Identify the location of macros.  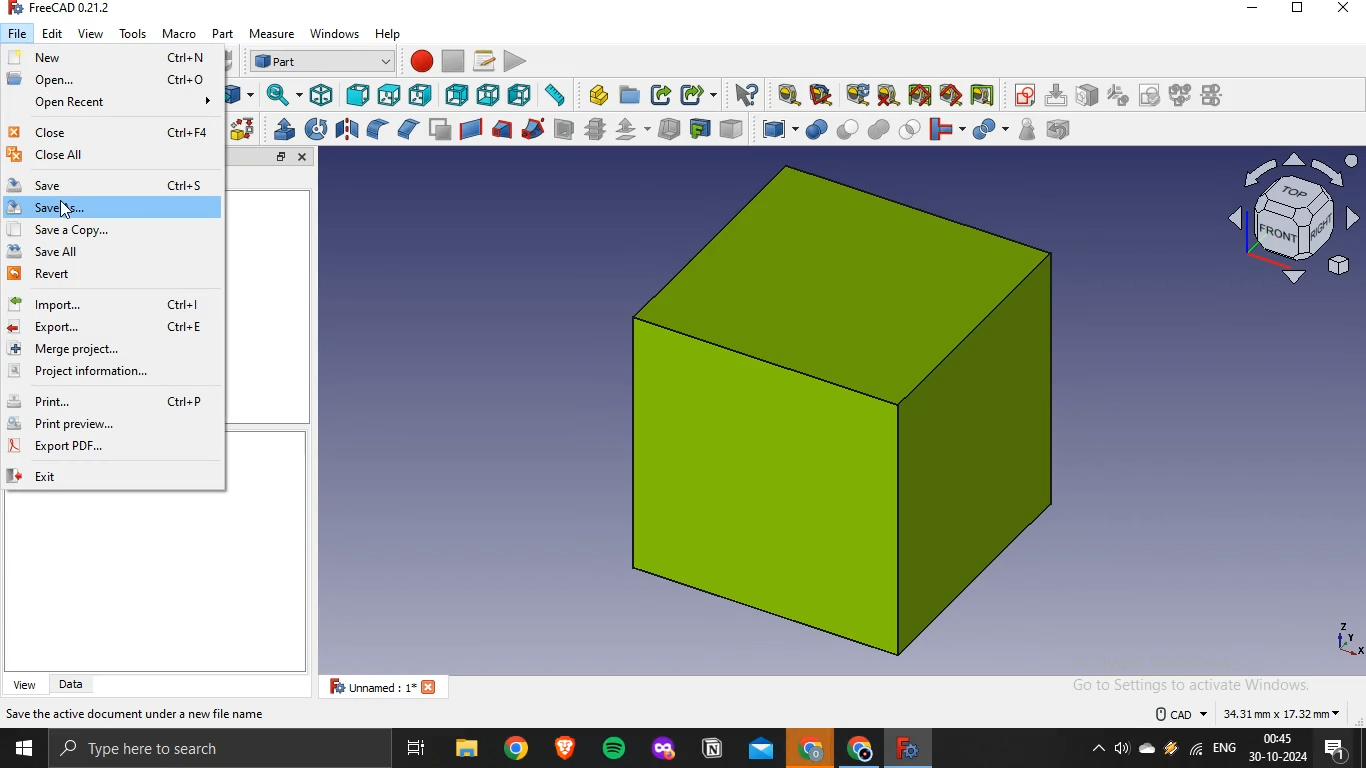
(484, 61).